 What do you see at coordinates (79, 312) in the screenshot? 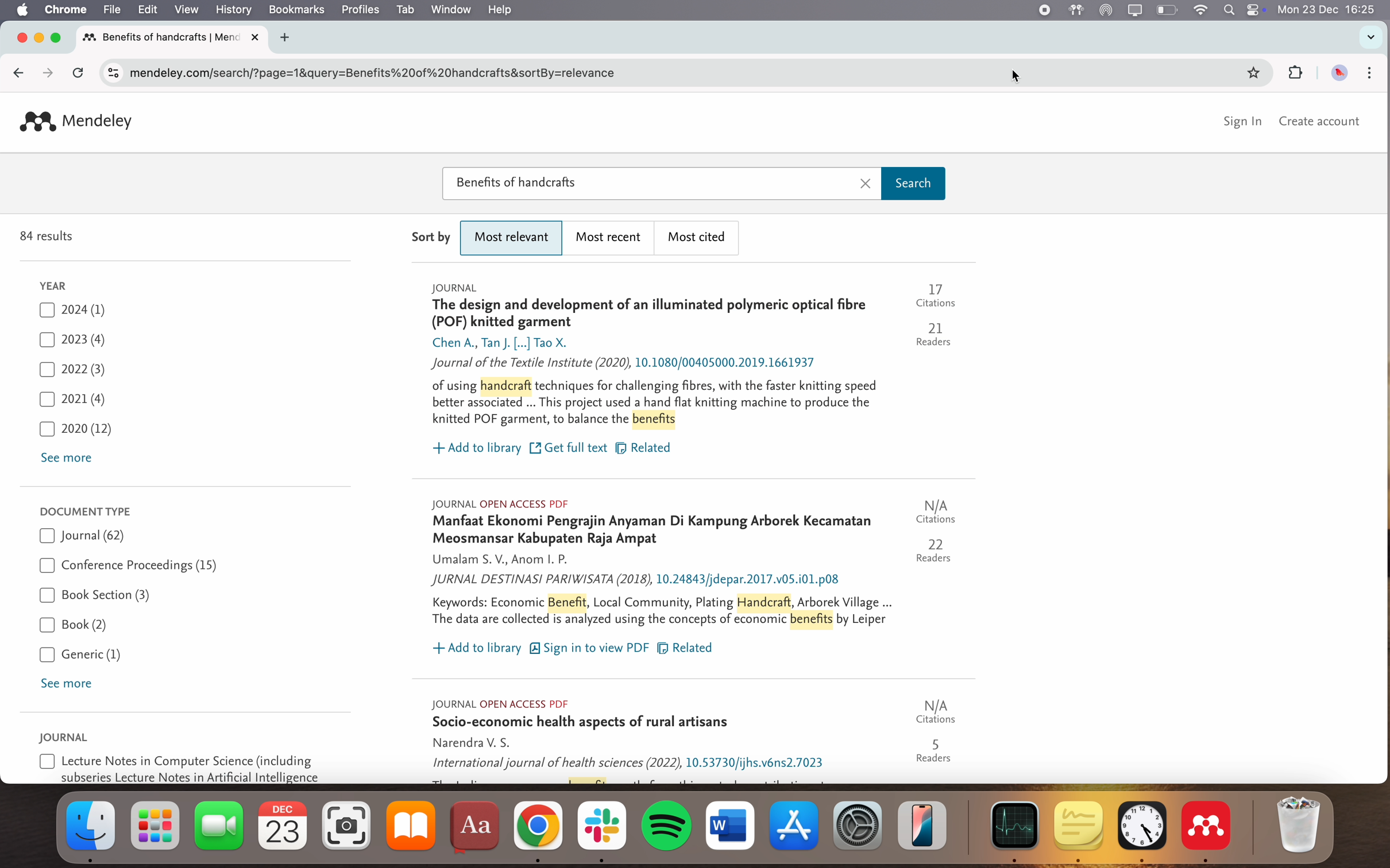
I see `2024` at bounding box center [79, 312].